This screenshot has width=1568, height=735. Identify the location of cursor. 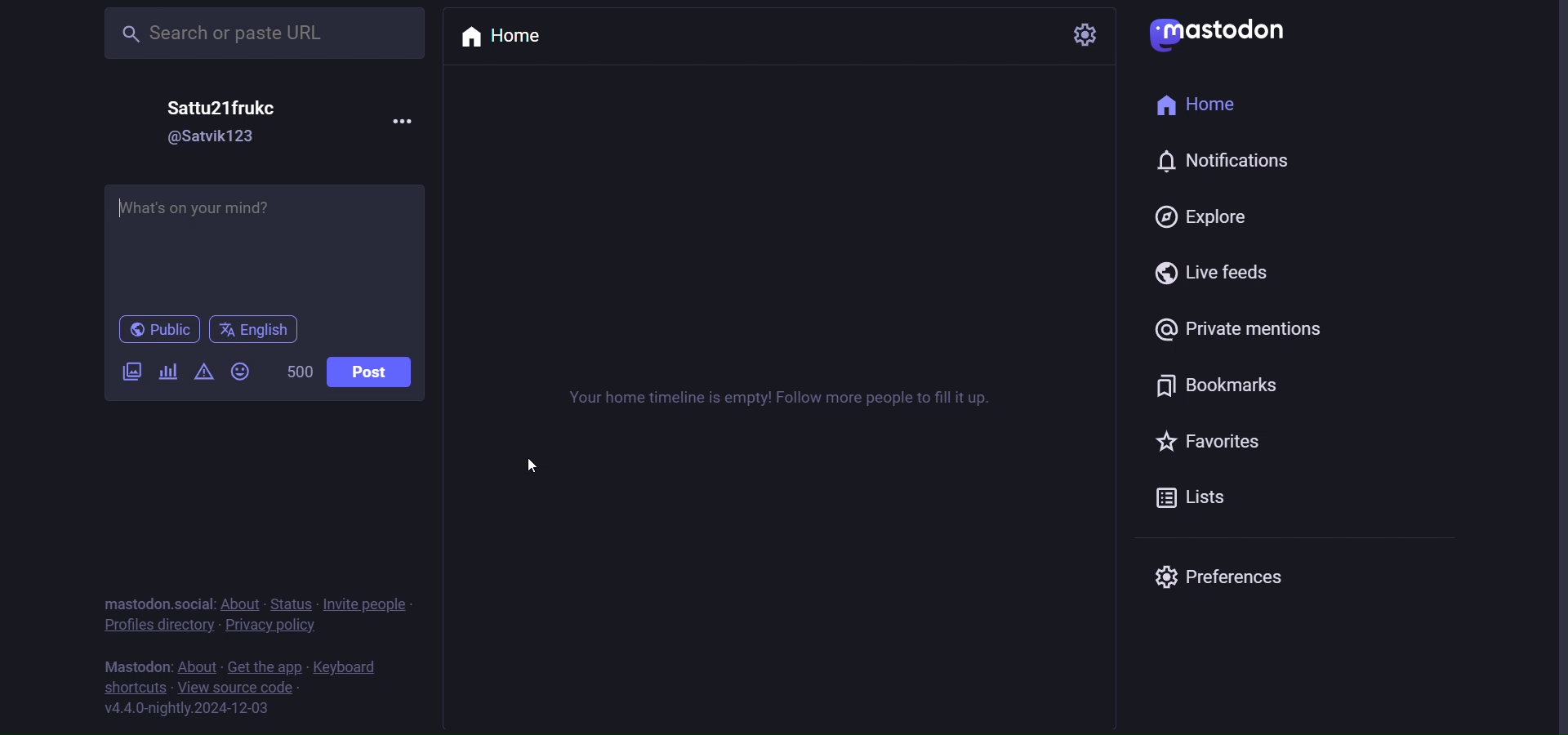
(541, 463).